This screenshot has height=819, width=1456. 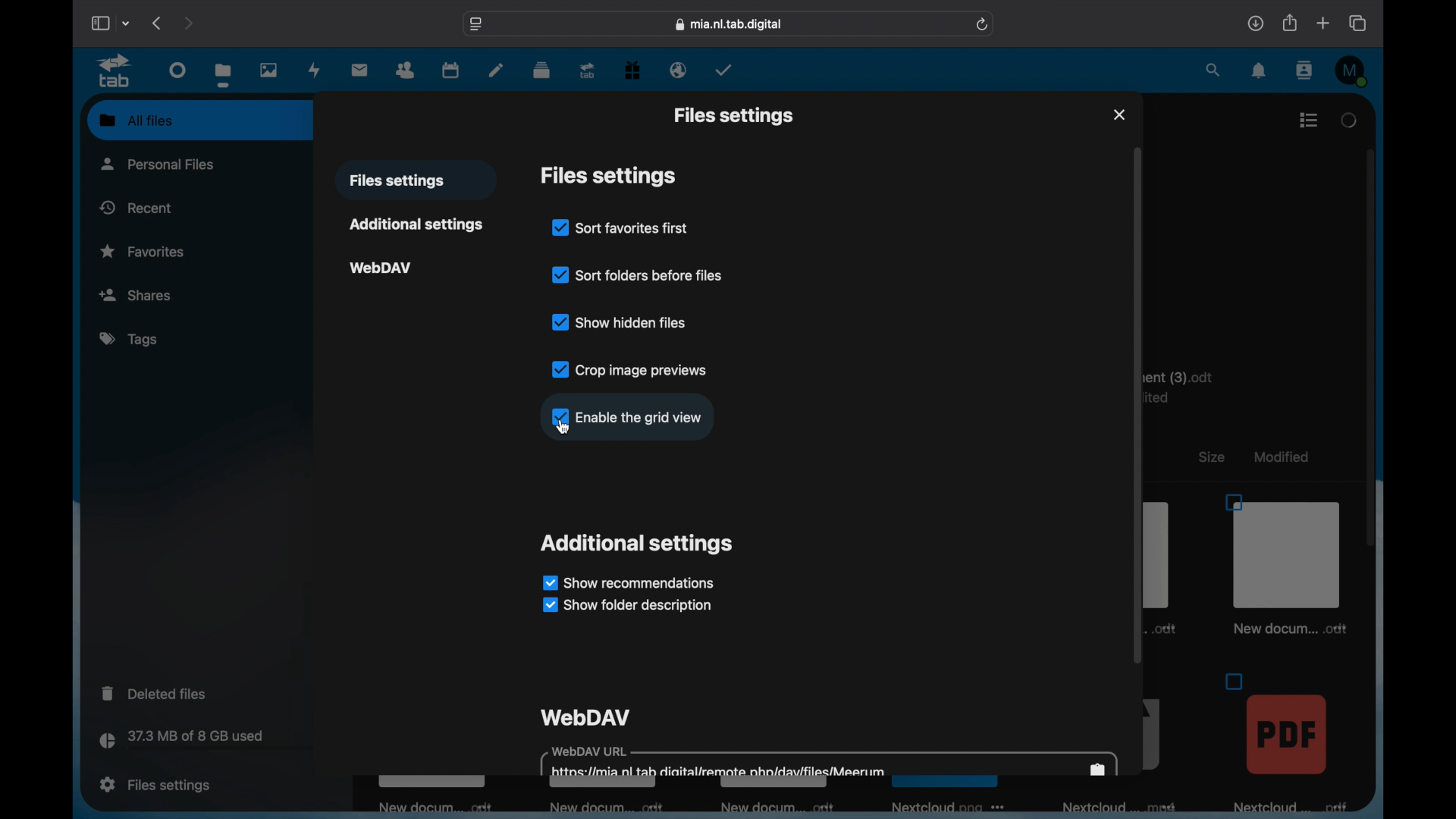 I want to click on loading, so click(x=1351, y=118).